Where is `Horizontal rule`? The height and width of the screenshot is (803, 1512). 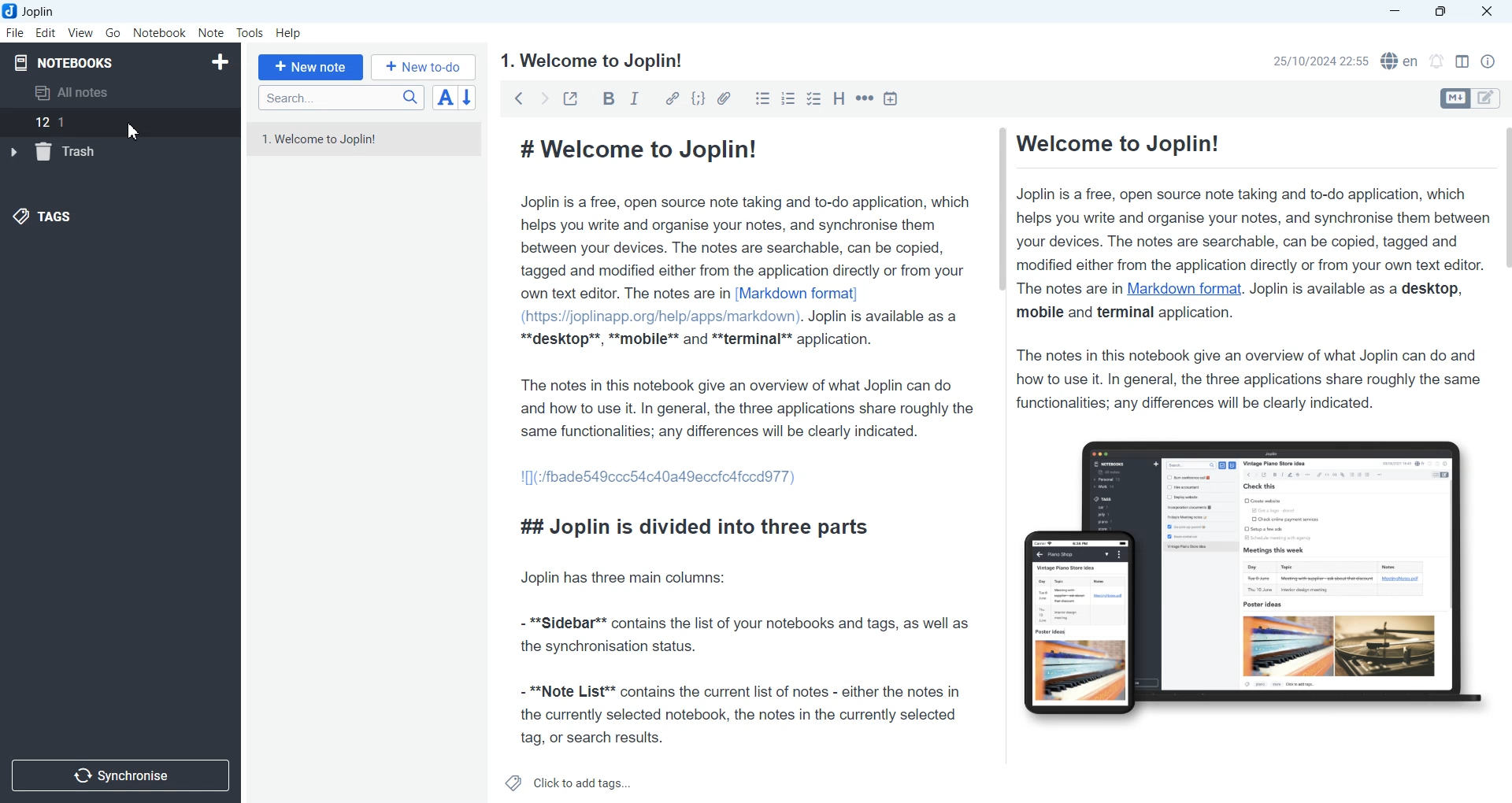 Horizontal rule is located at coordinates (862, 97).